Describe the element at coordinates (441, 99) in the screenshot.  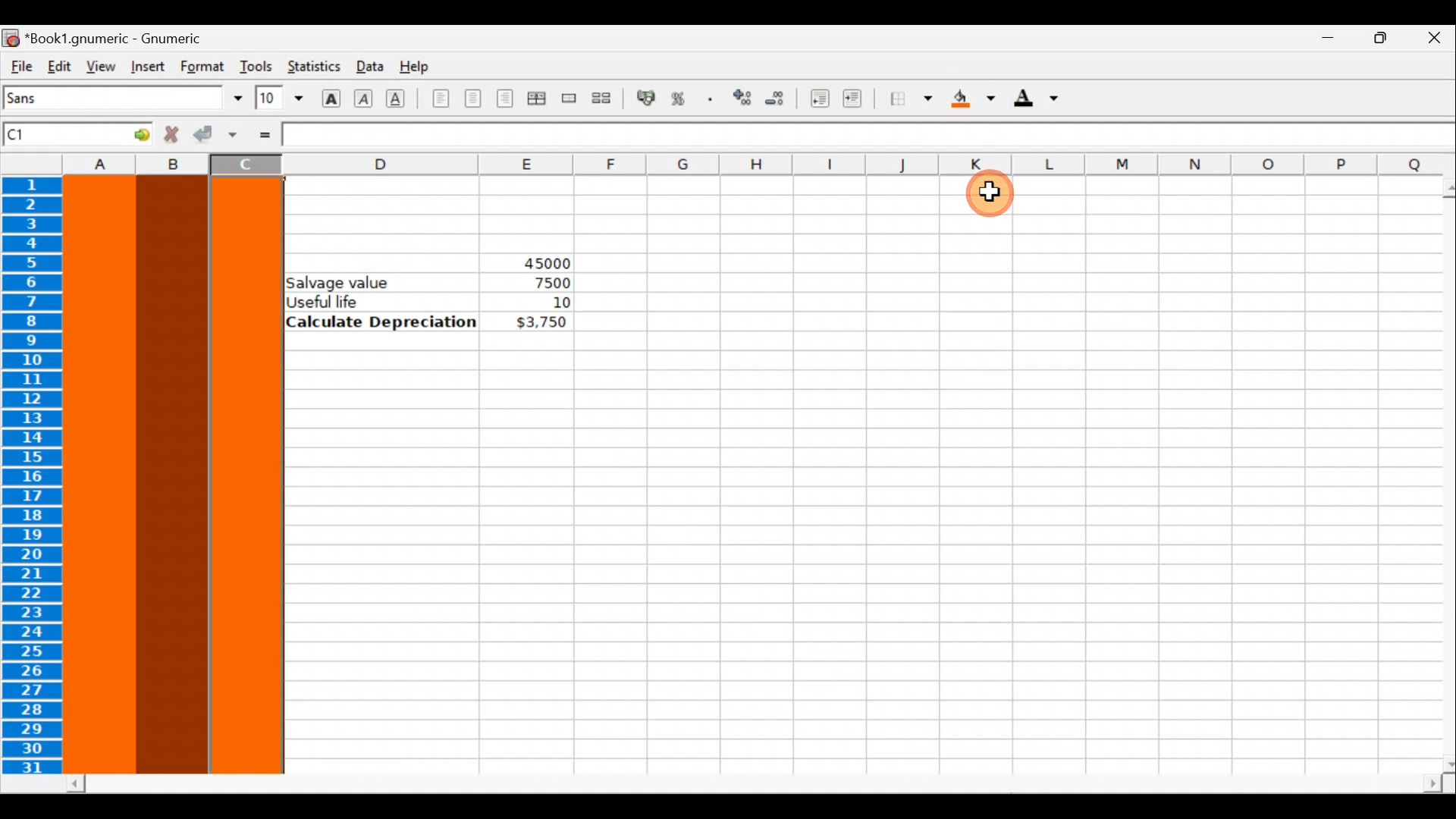
I see `Align left` at that location.